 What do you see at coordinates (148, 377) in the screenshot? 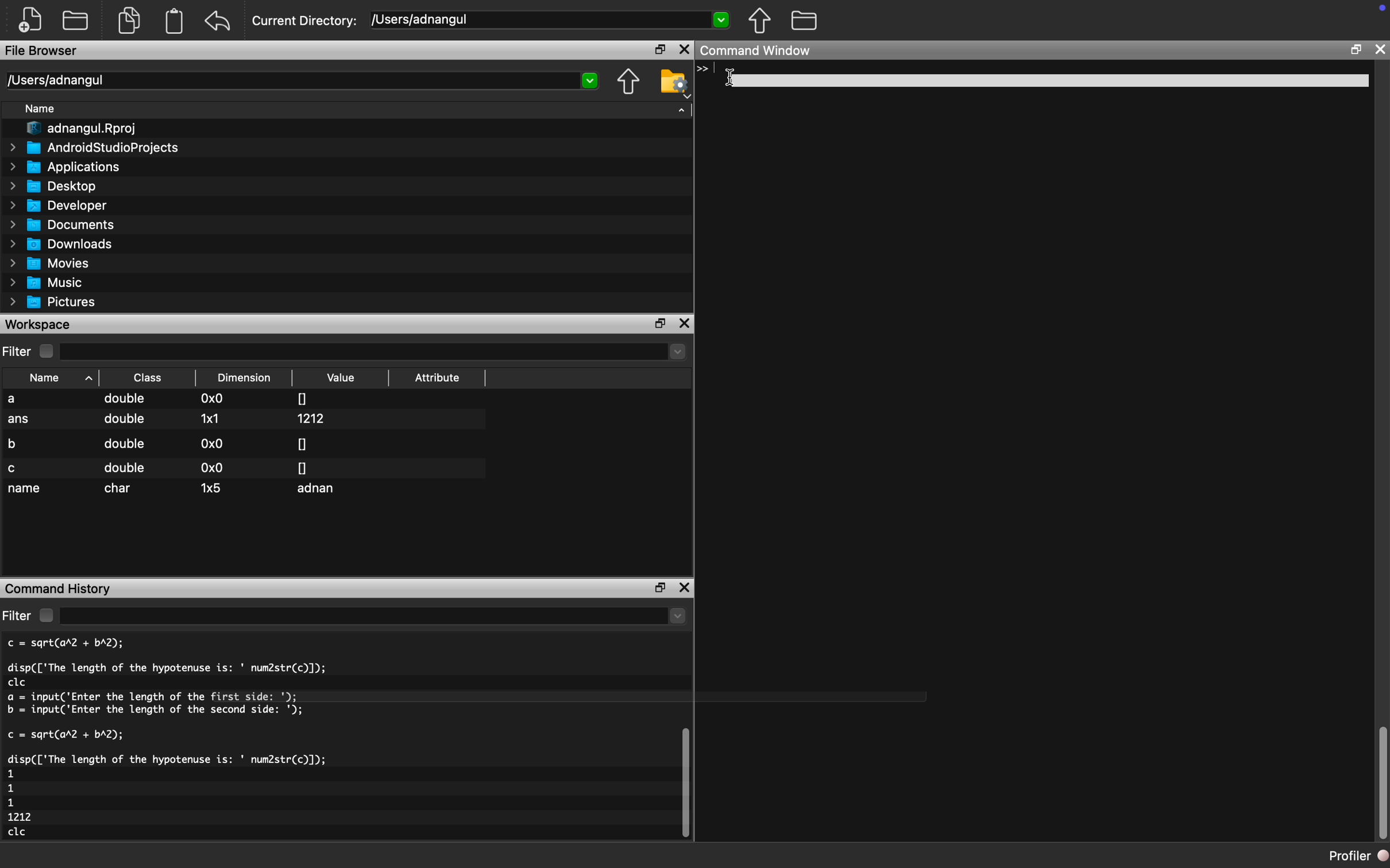
I see `Class` at bounding box center [148, 377].